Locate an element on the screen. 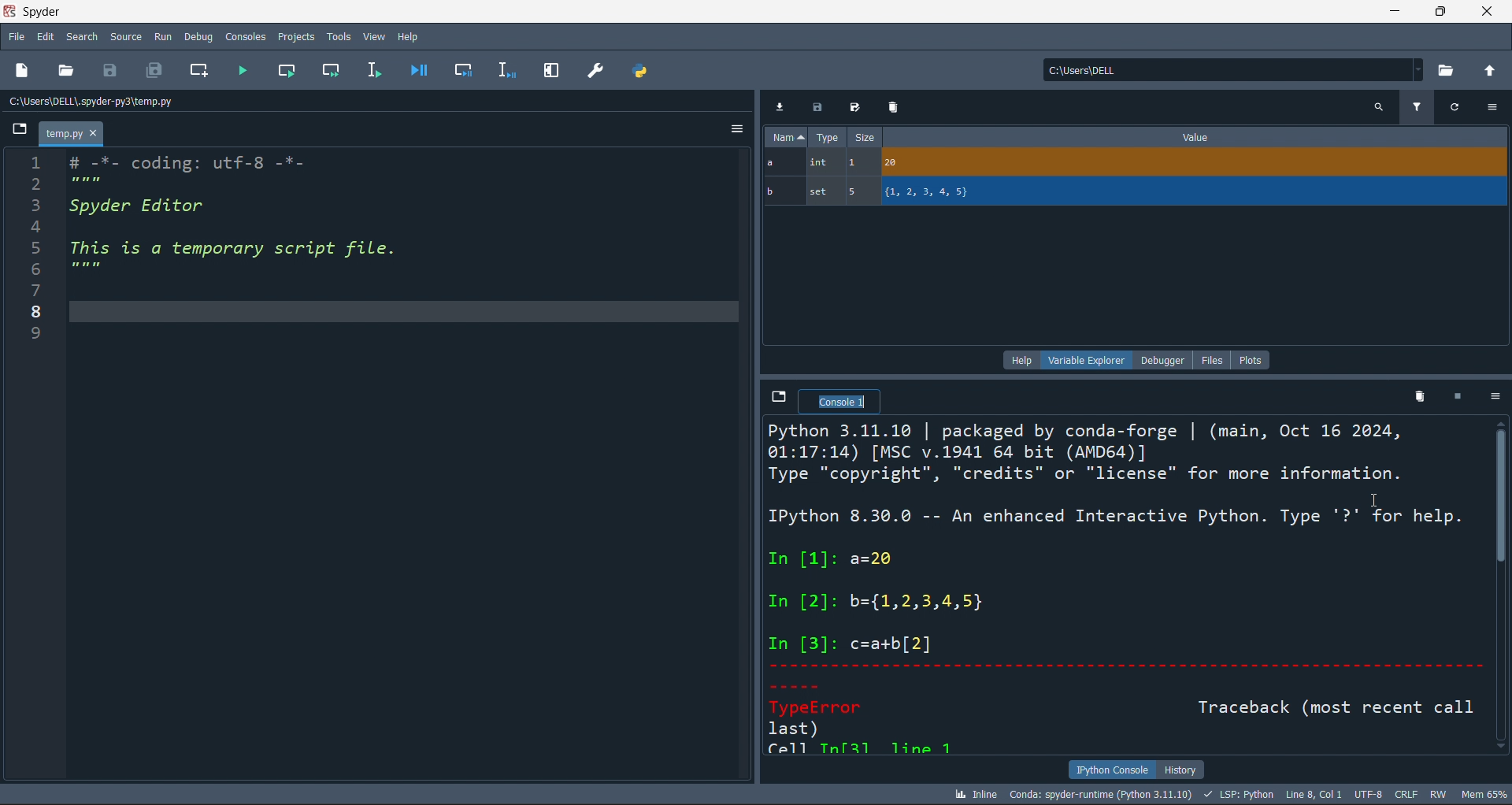 The height and width of the screenshot is (805, 1512). value is located at coordinates (1195, 137).